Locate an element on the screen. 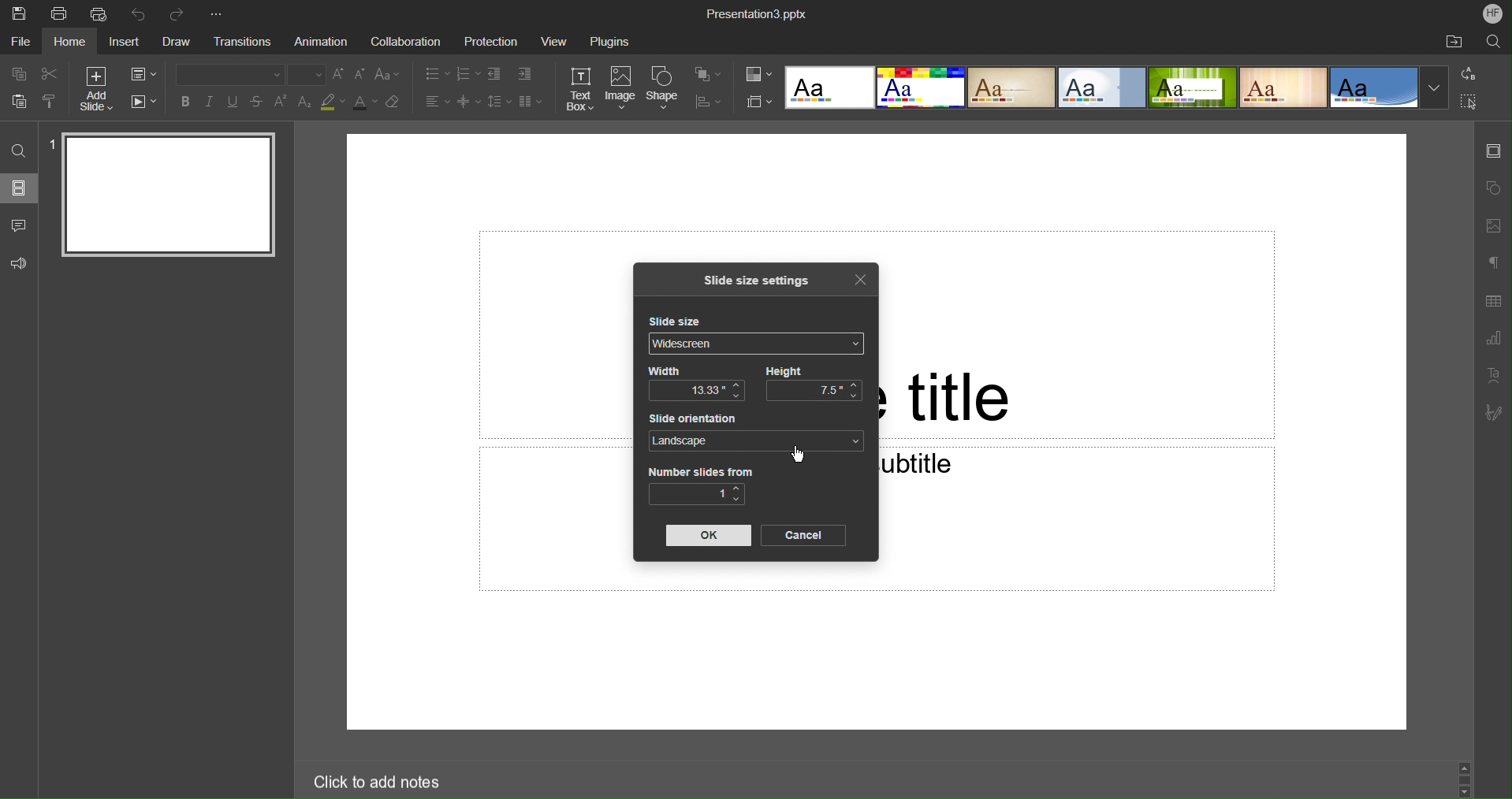 The width and height of the screenshot is (1512, 799). Select Slide Size is located at coordinates (759, 102).